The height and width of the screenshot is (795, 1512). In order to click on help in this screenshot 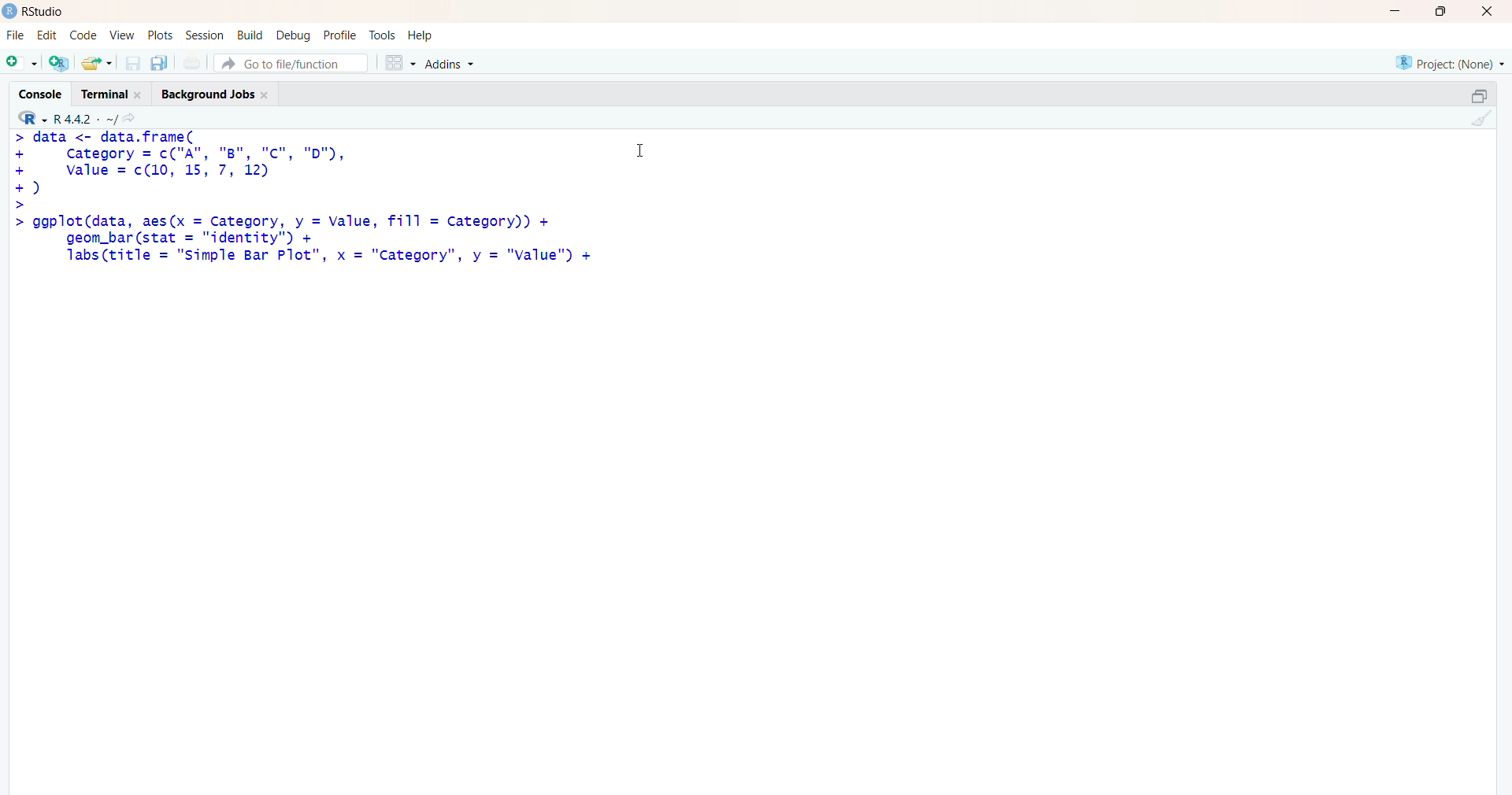, I will do `click(423, 35)`.